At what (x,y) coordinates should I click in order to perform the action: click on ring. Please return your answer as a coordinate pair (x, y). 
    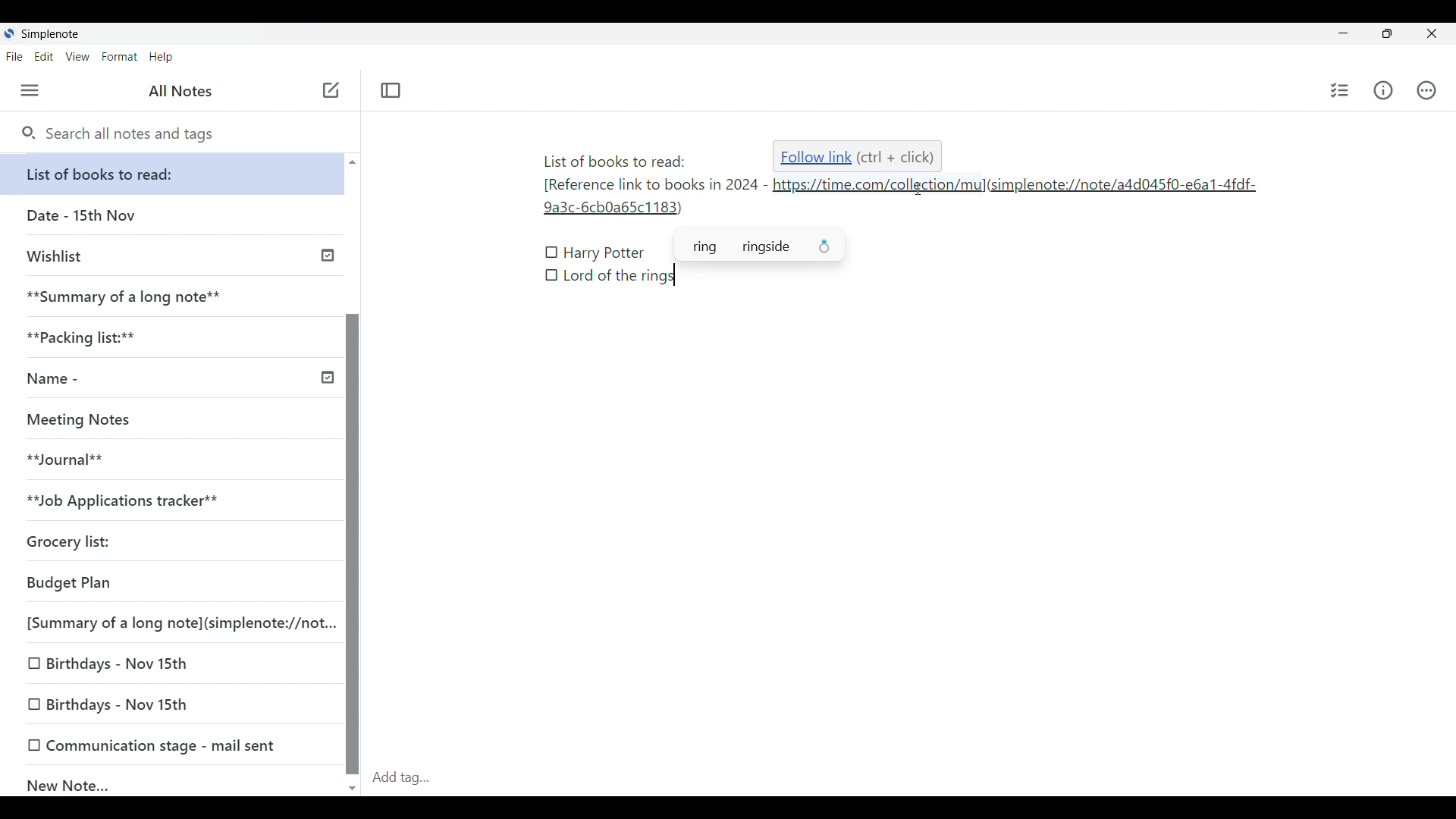
    Looking at the image, I should click on (701, 248).